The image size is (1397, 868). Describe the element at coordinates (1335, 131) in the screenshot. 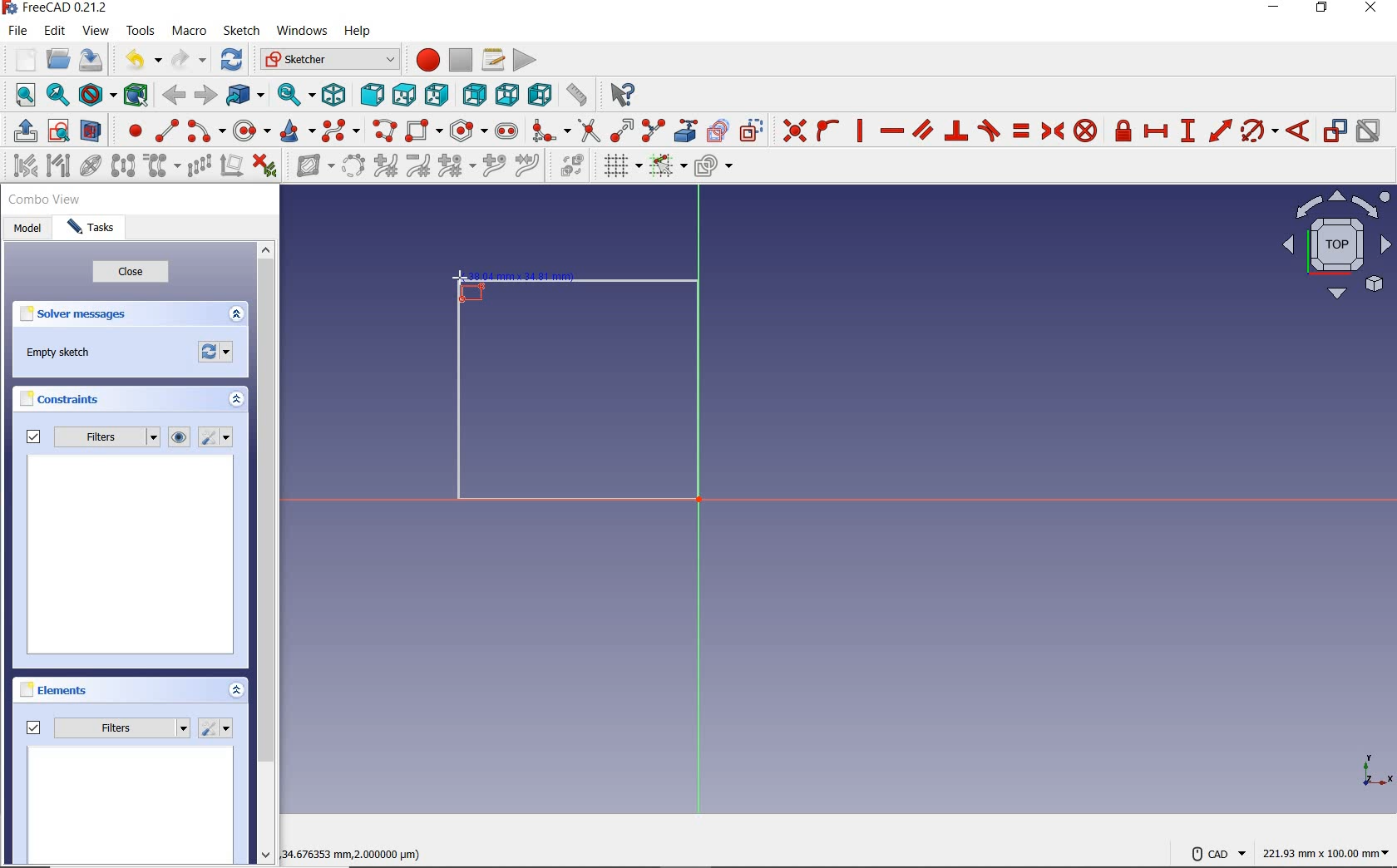

I see `toggle driving` at that location.